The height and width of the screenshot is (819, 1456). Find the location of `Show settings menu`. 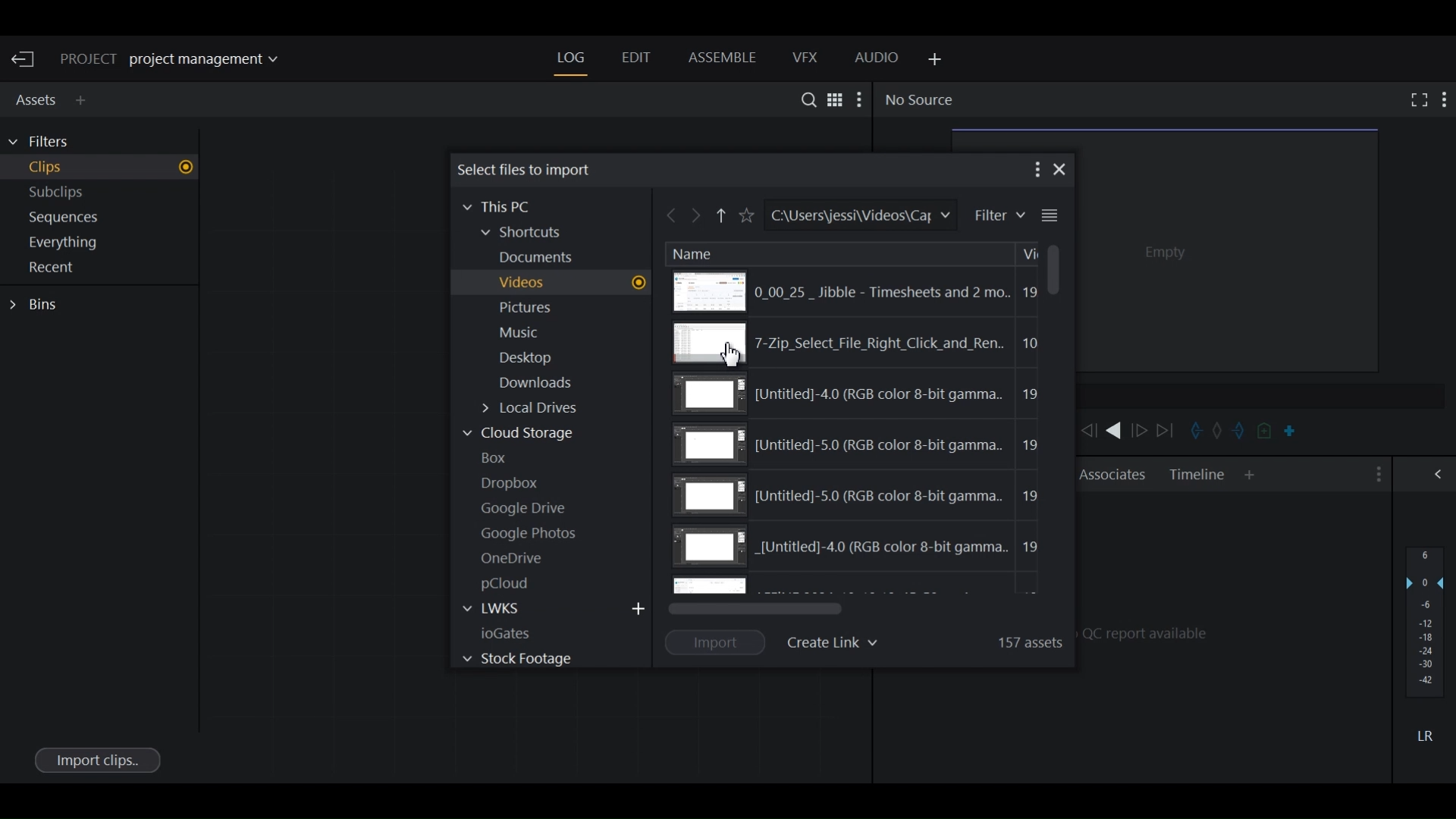

Show settings menu is located at coordinates (1035, 169).